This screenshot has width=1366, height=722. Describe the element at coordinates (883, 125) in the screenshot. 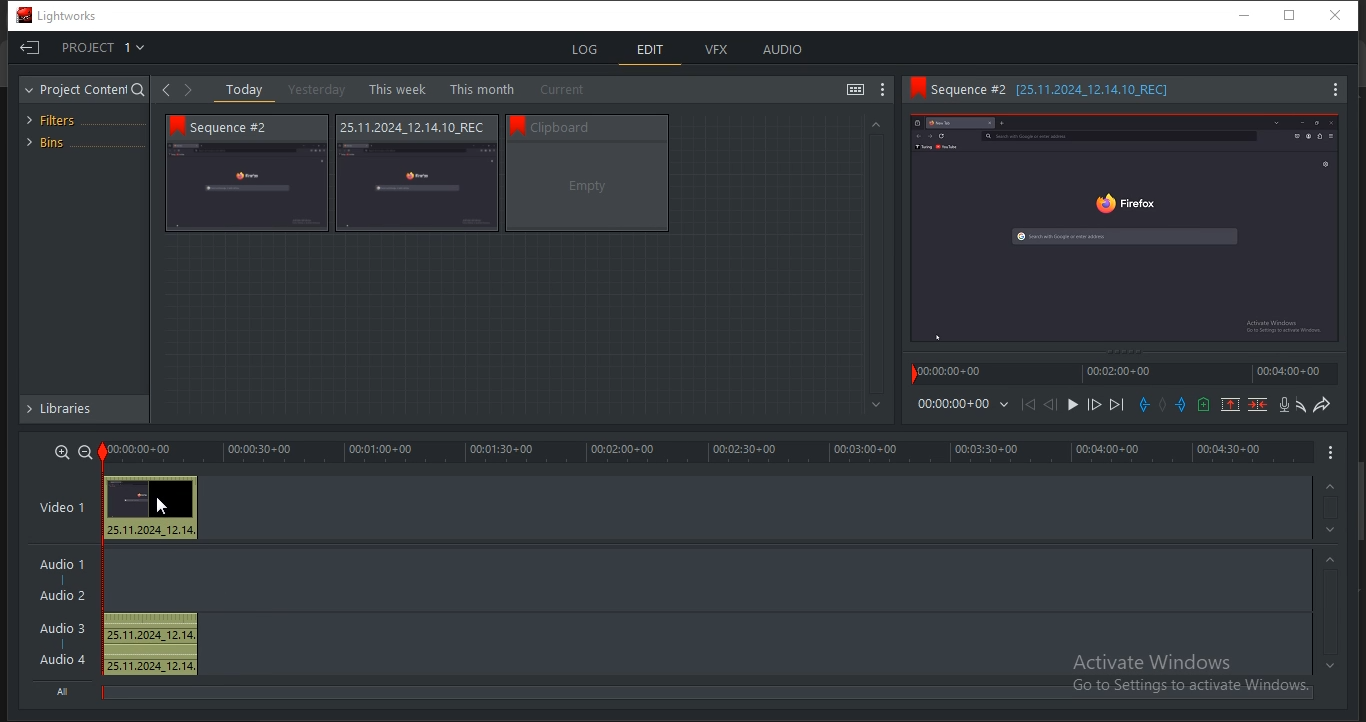

I see `Greyed out up arrow` at that location.